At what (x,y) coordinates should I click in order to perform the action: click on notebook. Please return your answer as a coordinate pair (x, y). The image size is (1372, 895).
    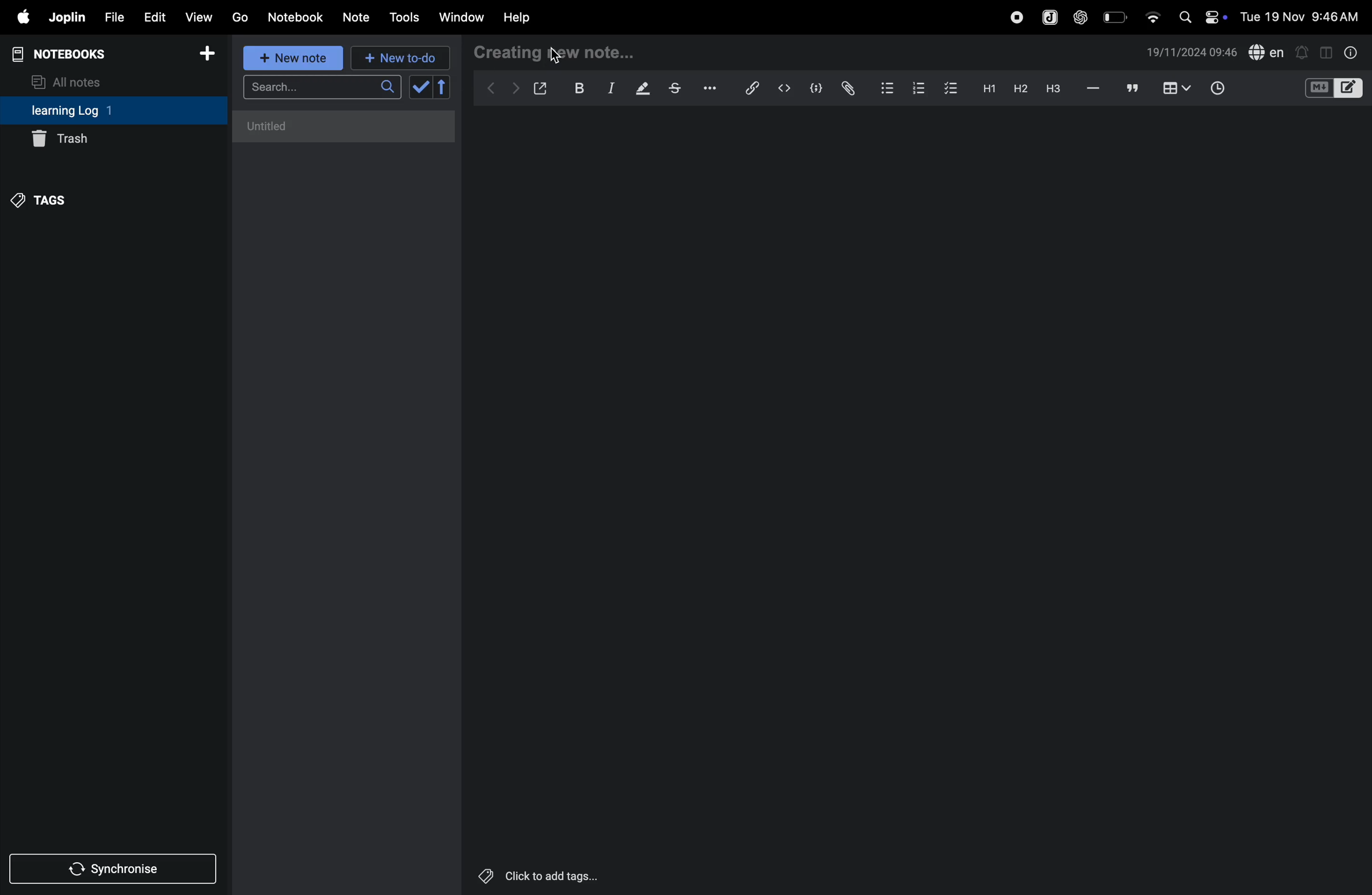
    Looking at the image, I should click on (297, 16).